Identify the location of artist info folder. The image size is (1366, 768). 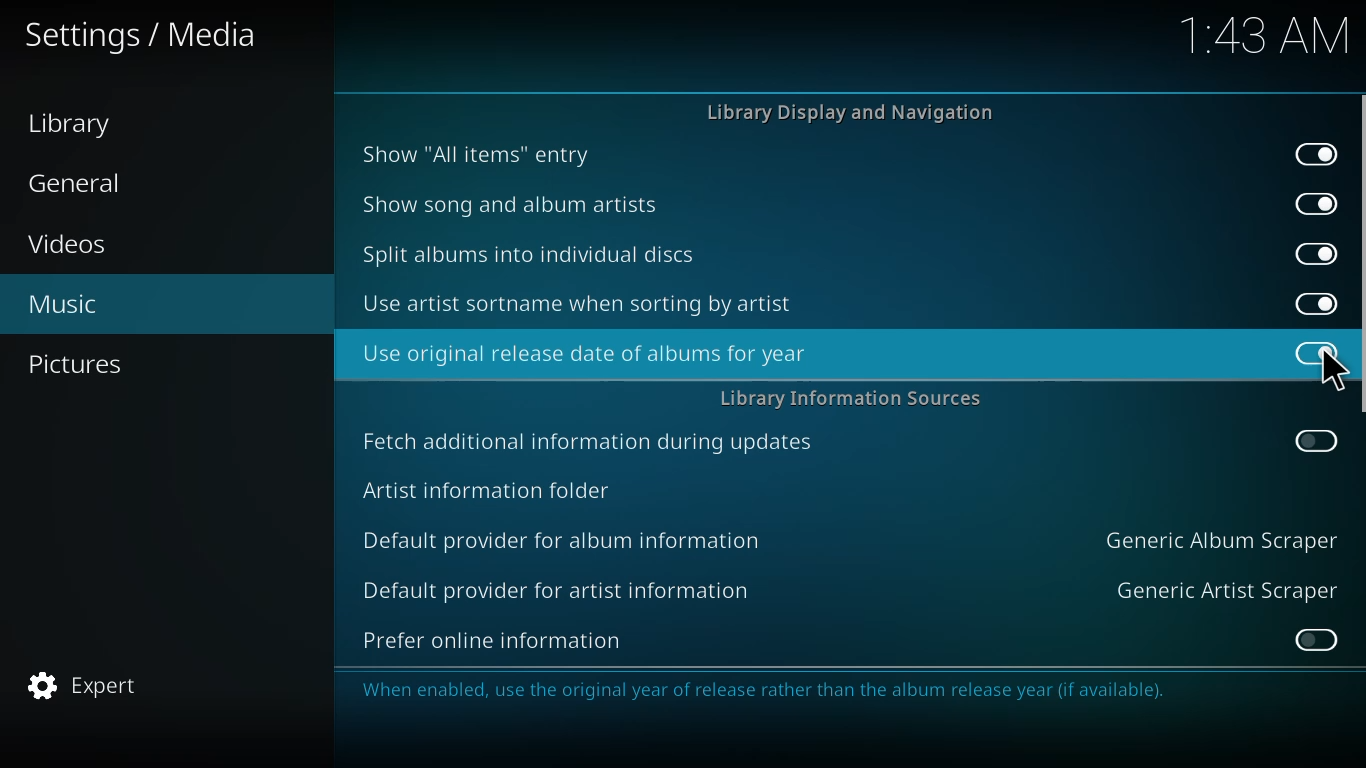
(487, 489).